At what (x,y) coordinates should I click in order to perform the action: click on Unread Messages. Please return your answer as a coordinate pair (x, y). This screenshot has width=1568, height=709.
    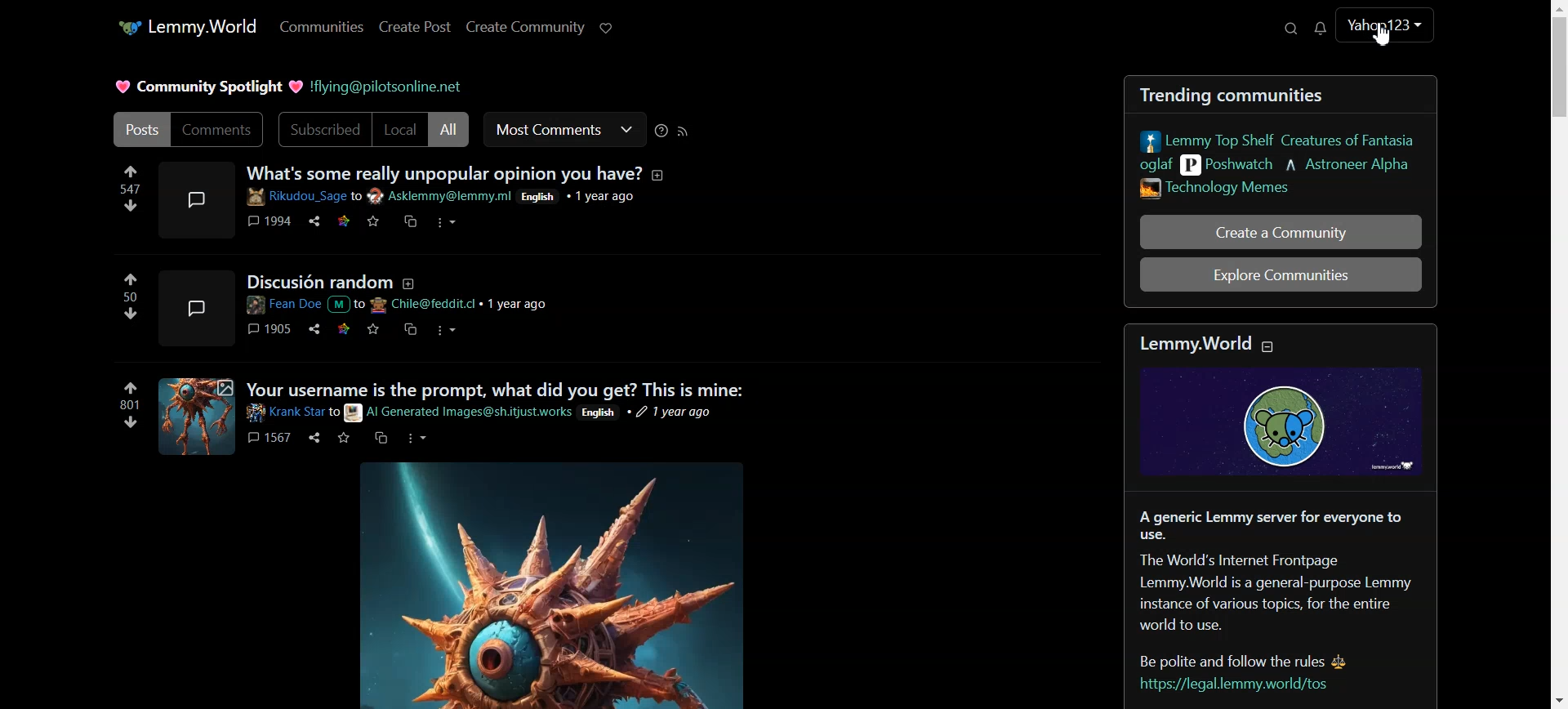
    Looking at the image, I should click on (1318, 28).